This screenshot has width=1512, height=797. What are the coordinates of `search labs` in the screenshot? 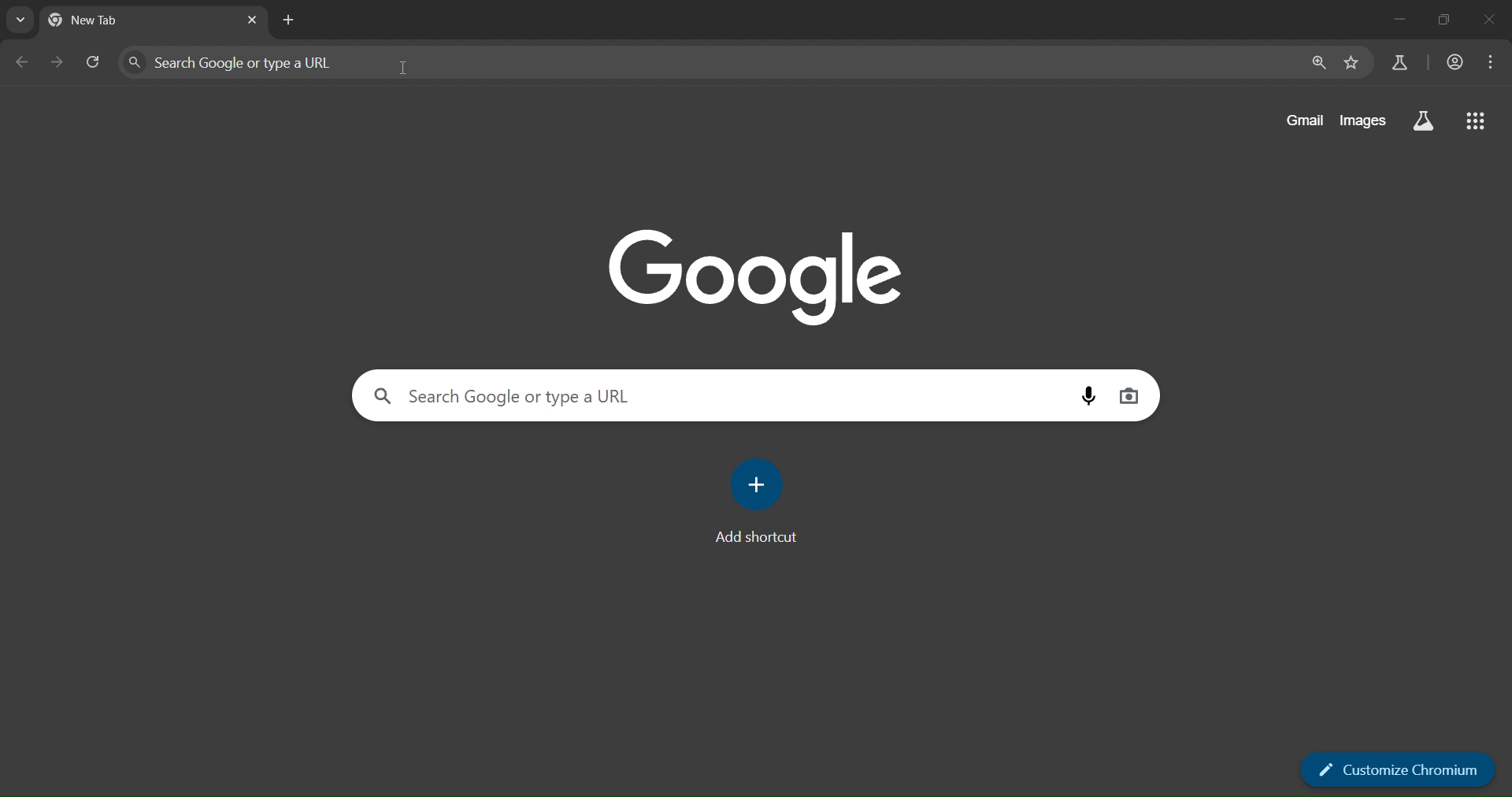 It's located at (1425, 124).